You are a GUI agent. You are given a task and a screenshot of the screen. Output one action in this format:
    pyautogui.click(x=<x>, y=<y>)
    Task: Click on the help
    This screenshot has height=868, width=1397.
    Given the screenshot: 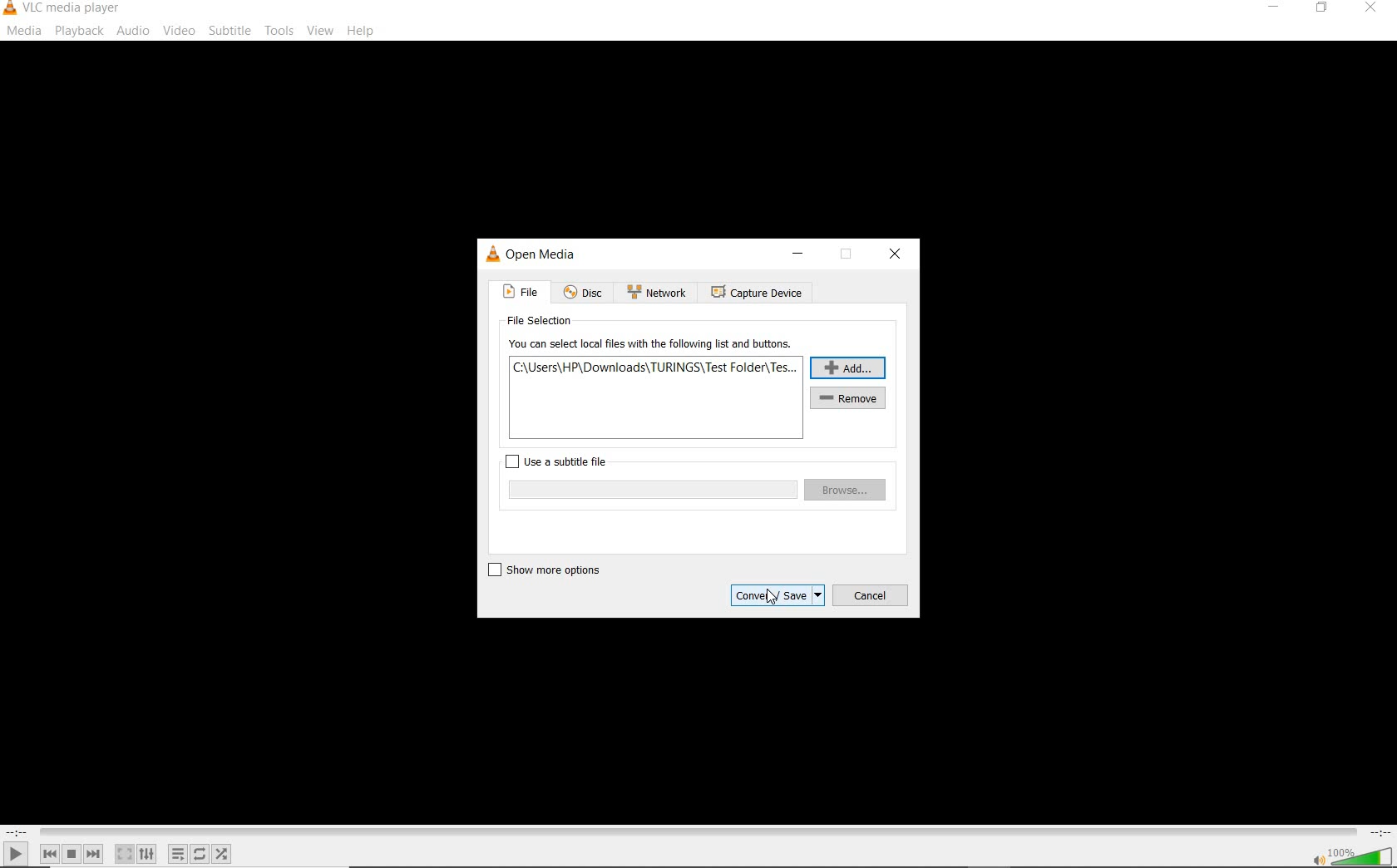 What is the action you would take?
    pyautogui.click(x=361, y=32)
    